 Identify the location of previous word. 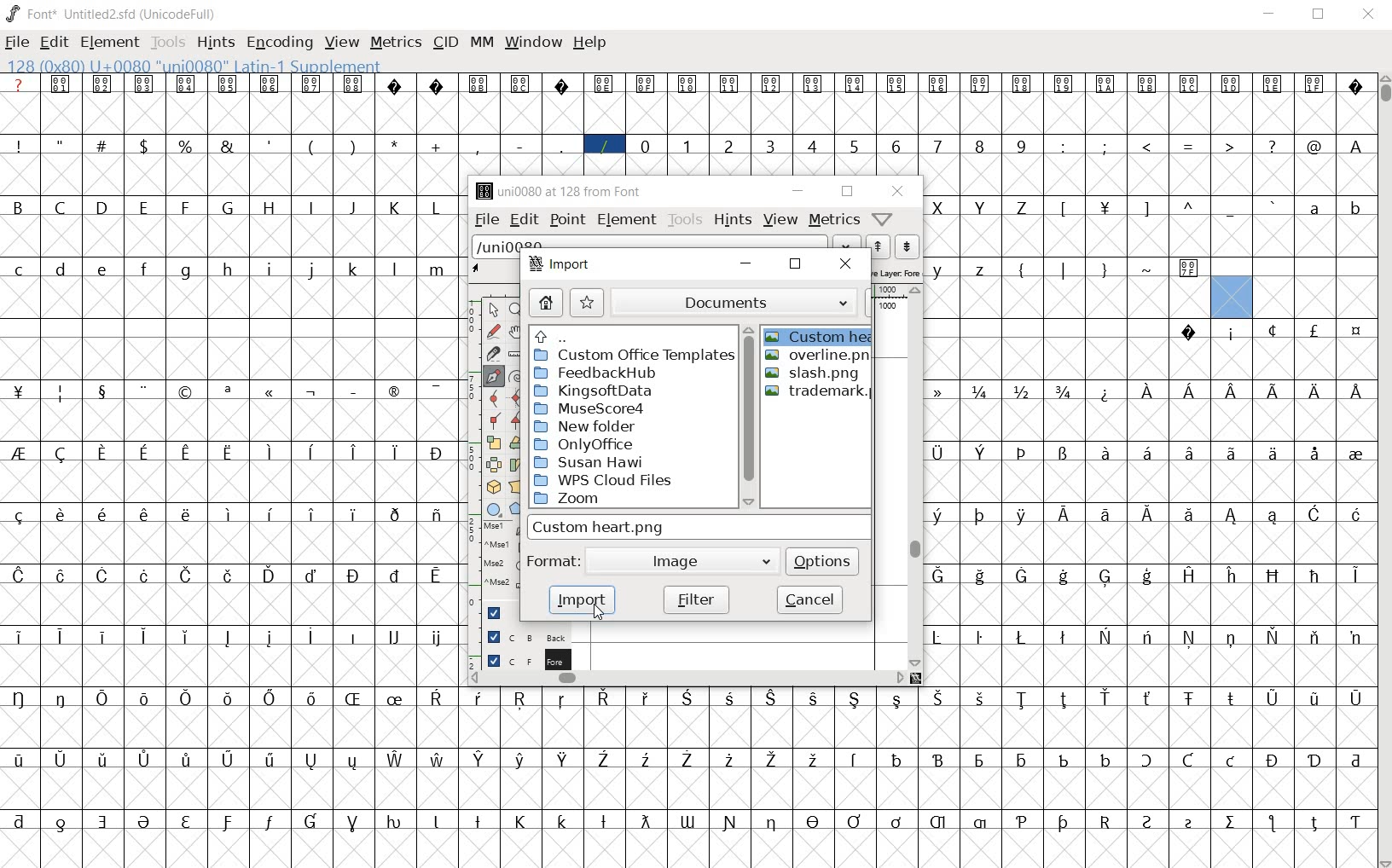
(879, 246).